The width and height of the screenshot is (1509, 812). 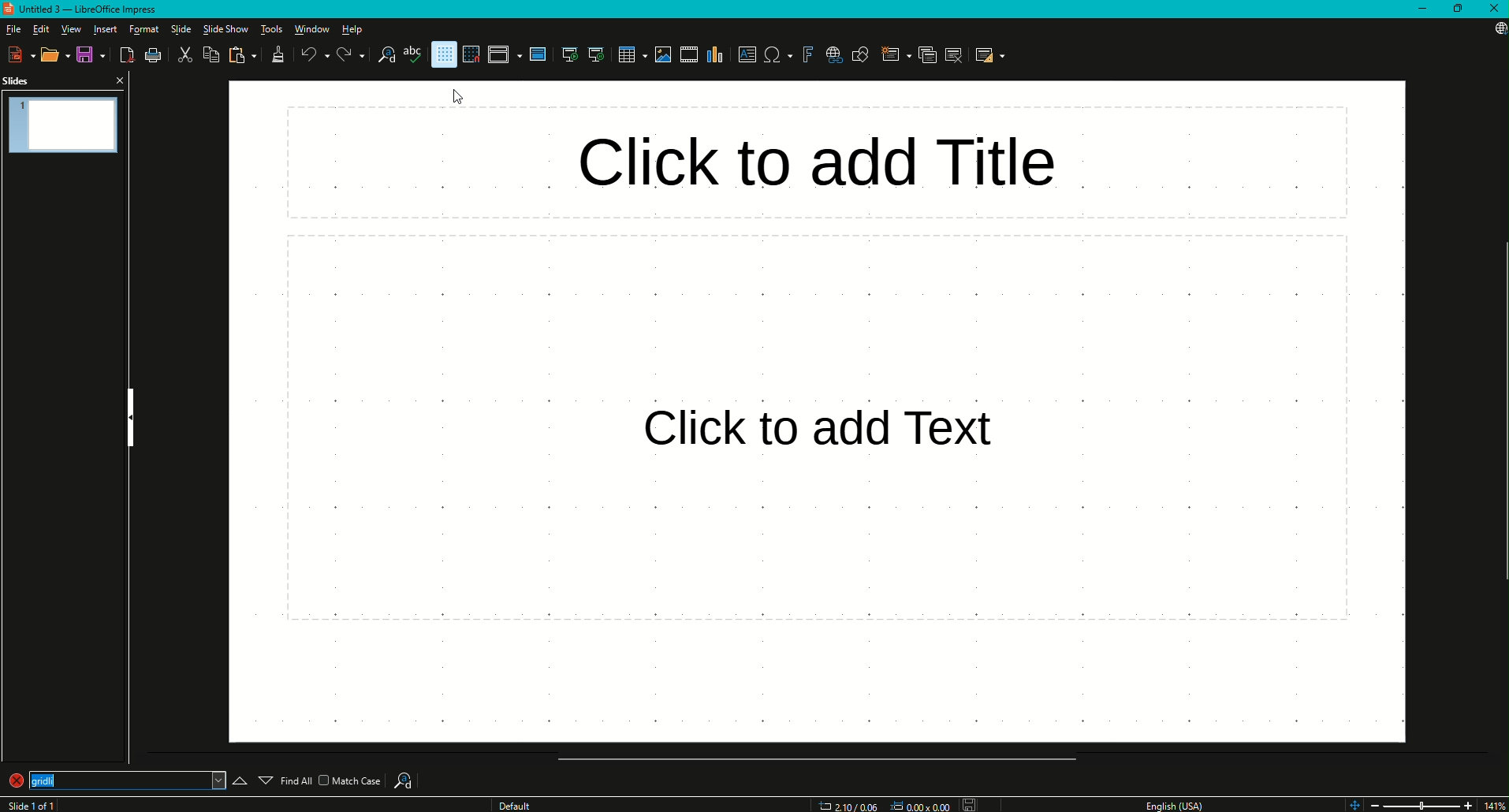 What do you see at coordinates (818, 430) in the screenshot?
I see `Click to add text` at bounding box center [818, 430].